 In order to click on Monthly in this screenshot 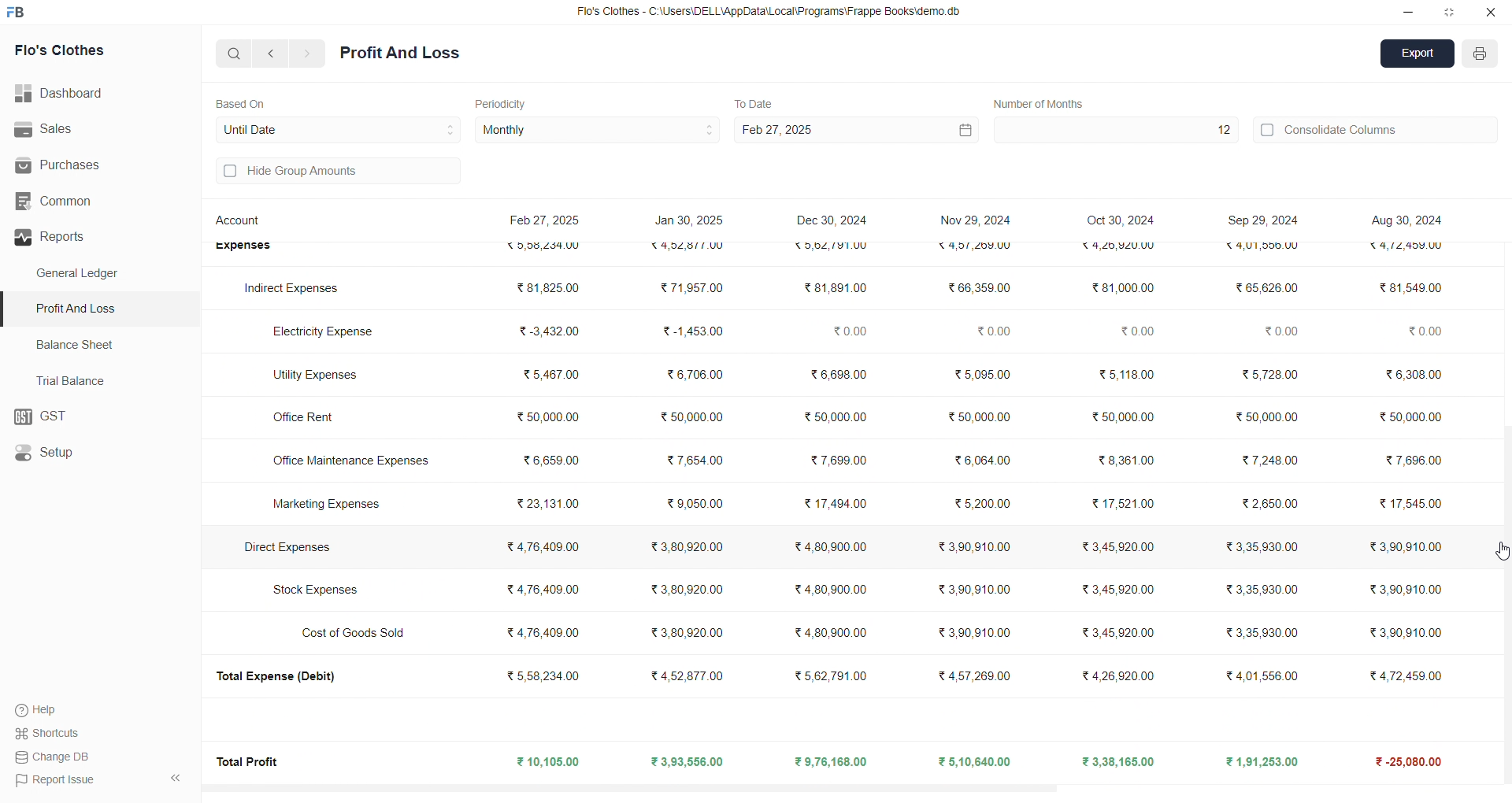, I will do `click(598, 131)`.